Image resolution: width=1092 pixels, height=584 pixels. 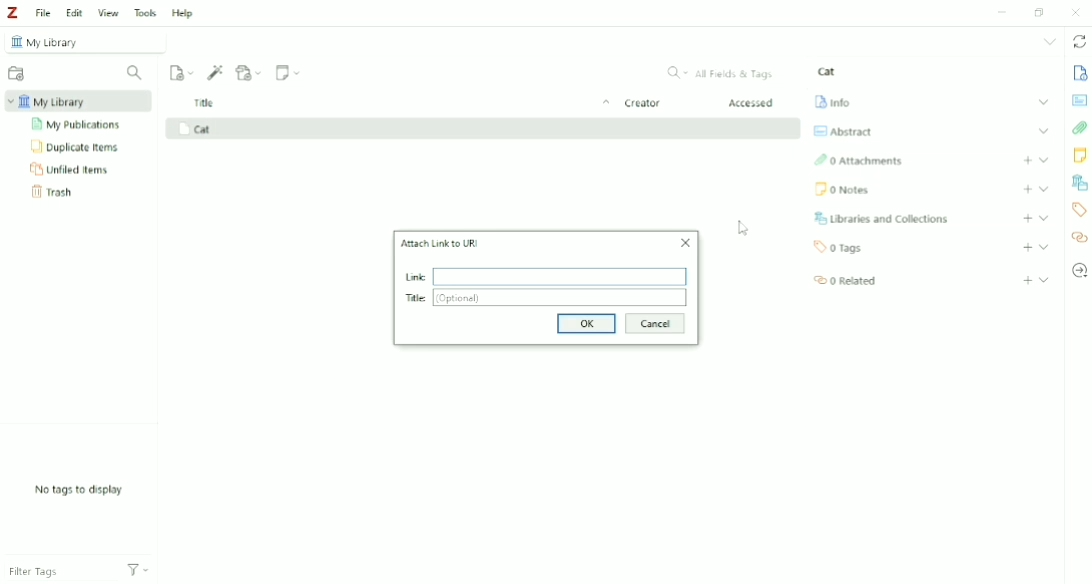 I want to click on Tags, so click(x=1078, y=209).